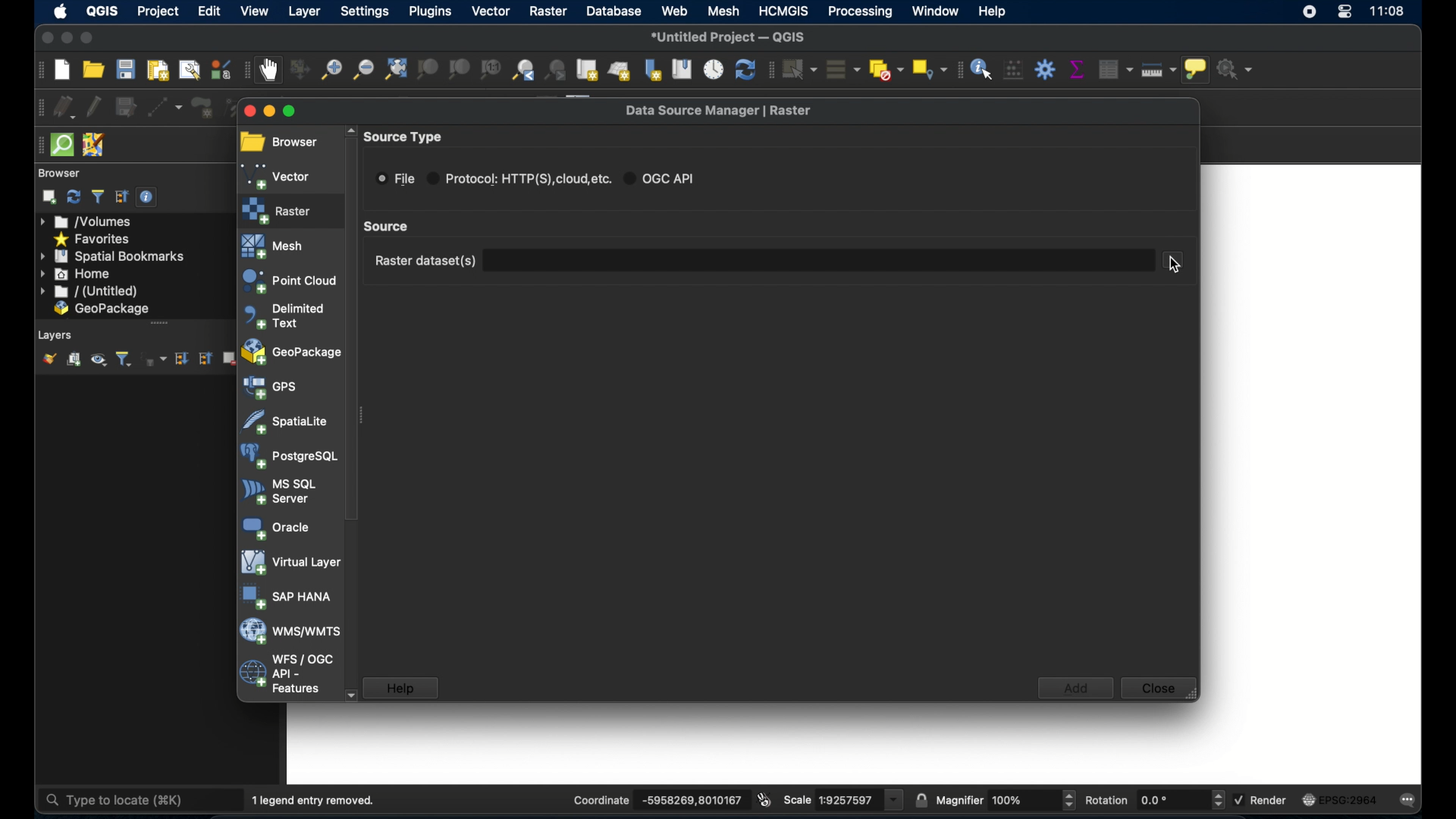 The image size is (1456, 819). Describe the element at coordinates (37, 70) in the screenshot. I see `project toolbar` at that location.